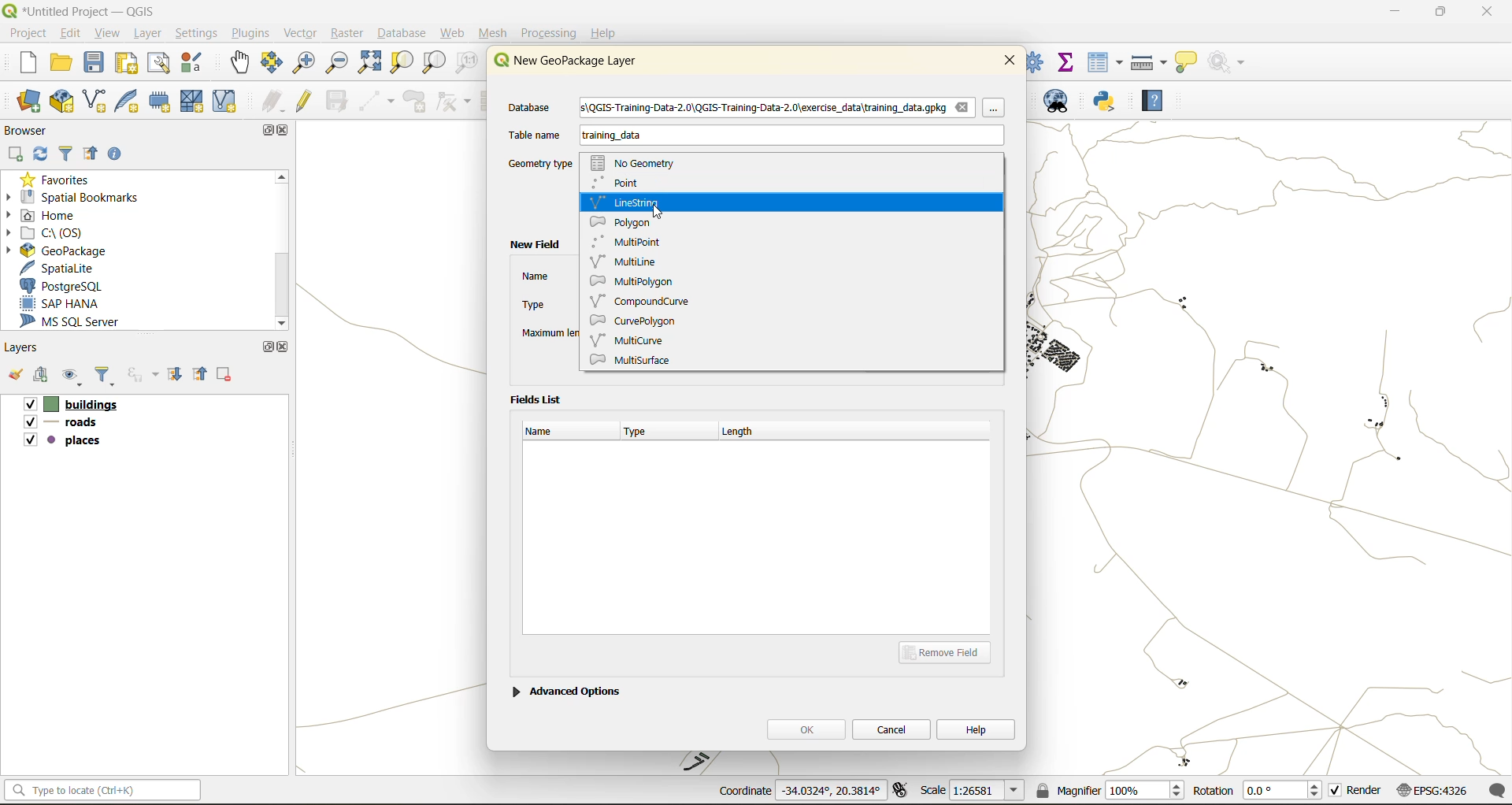 Image resolution: width=1512 pixels, height=805 pixels. I want to click on Processing, so click(551, 31).